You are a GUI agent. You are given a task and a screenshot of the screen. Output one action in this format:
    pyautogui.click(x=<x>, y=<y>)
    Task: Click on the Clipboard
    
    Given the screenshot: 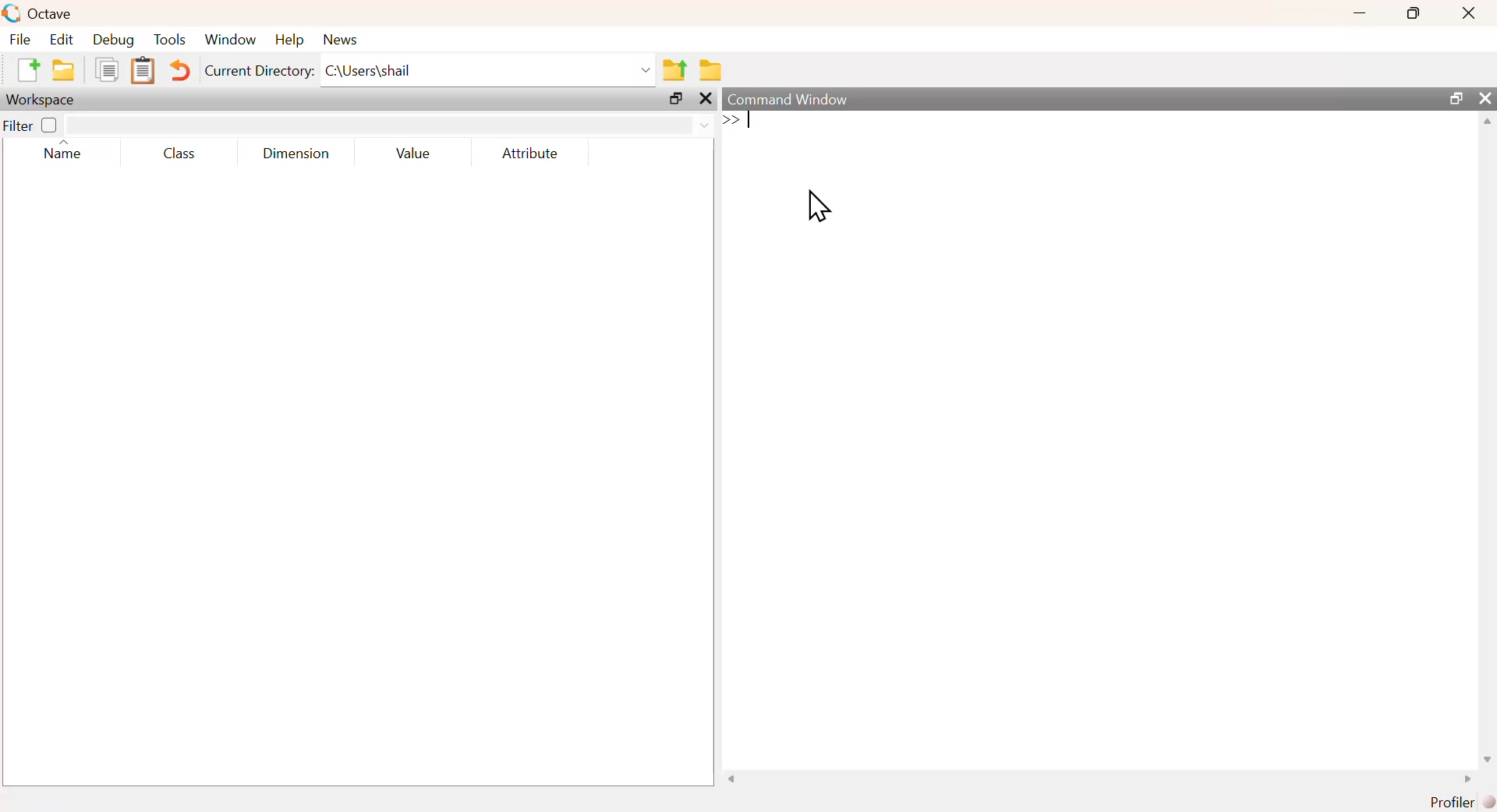 What is the action you would take?
    pyautogui.click(x=143, y=71)
    